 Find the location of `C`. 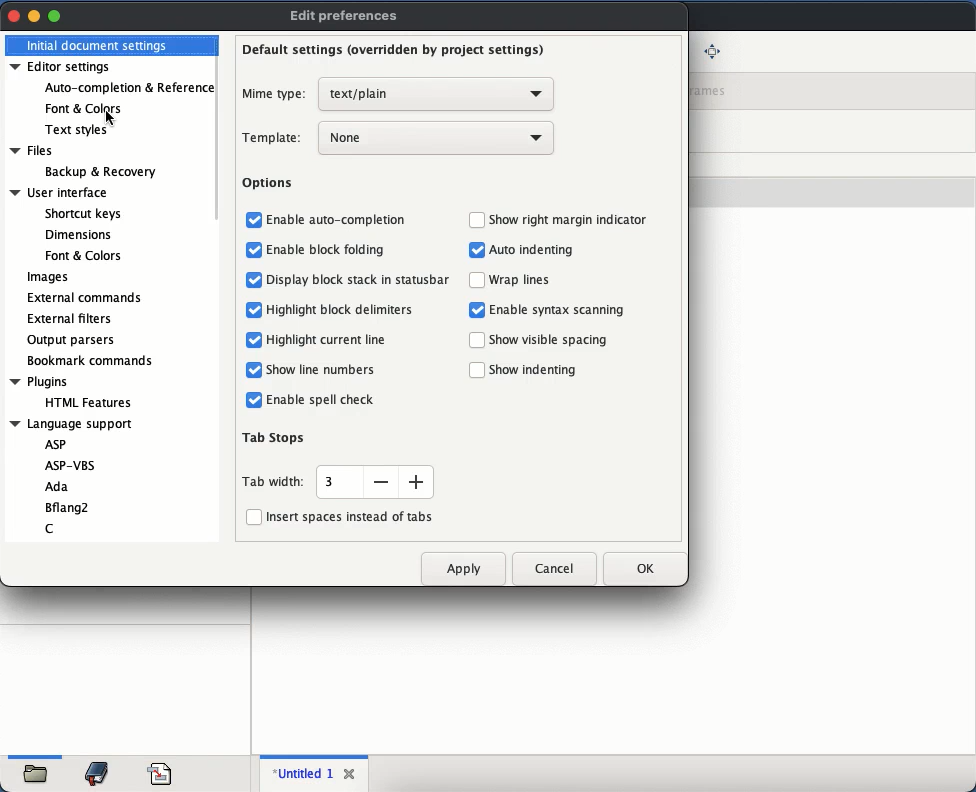

C is located at coordinates (51, 528).